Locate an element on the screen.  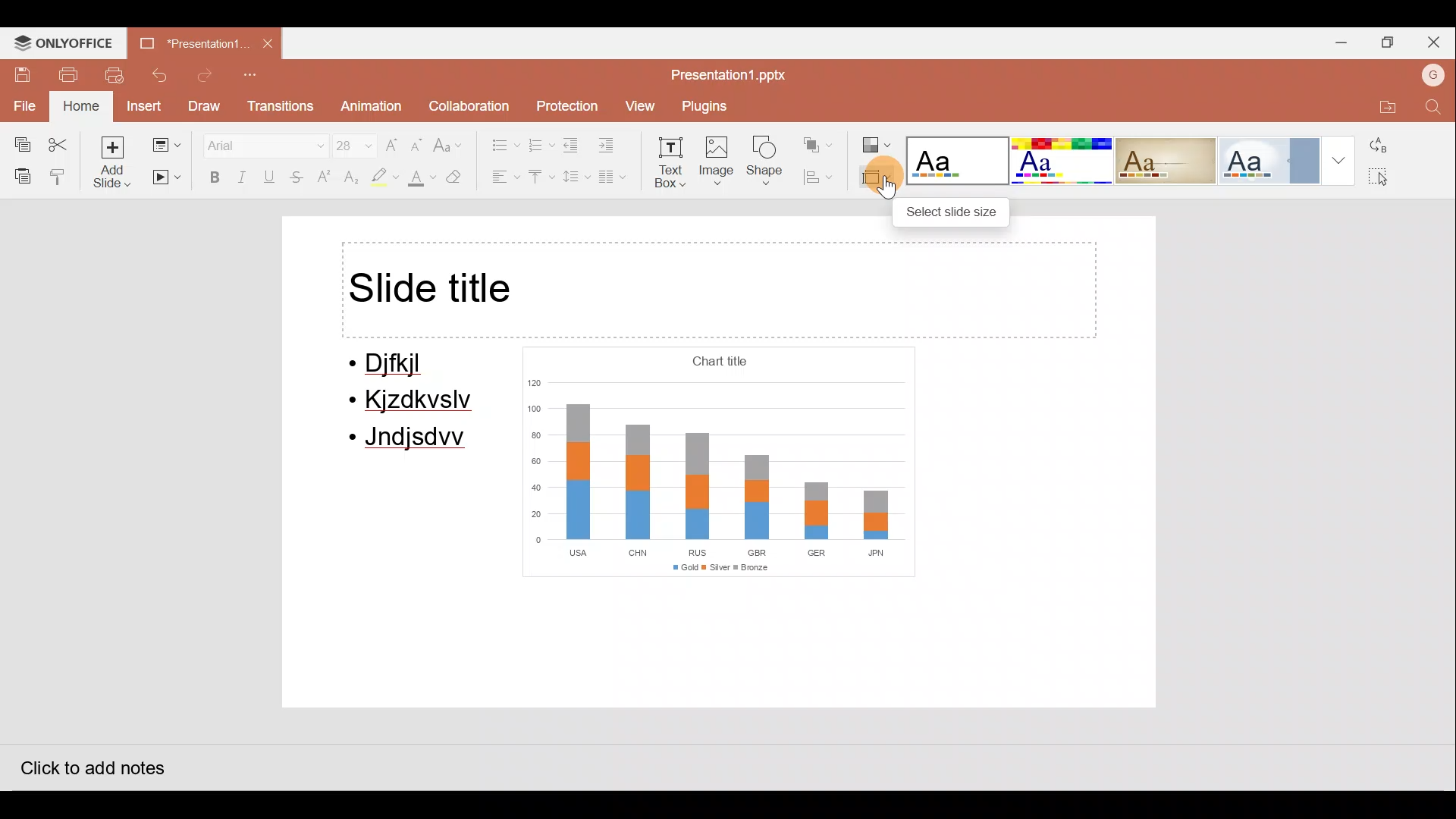
Shape is located at coordinates (769, 164).